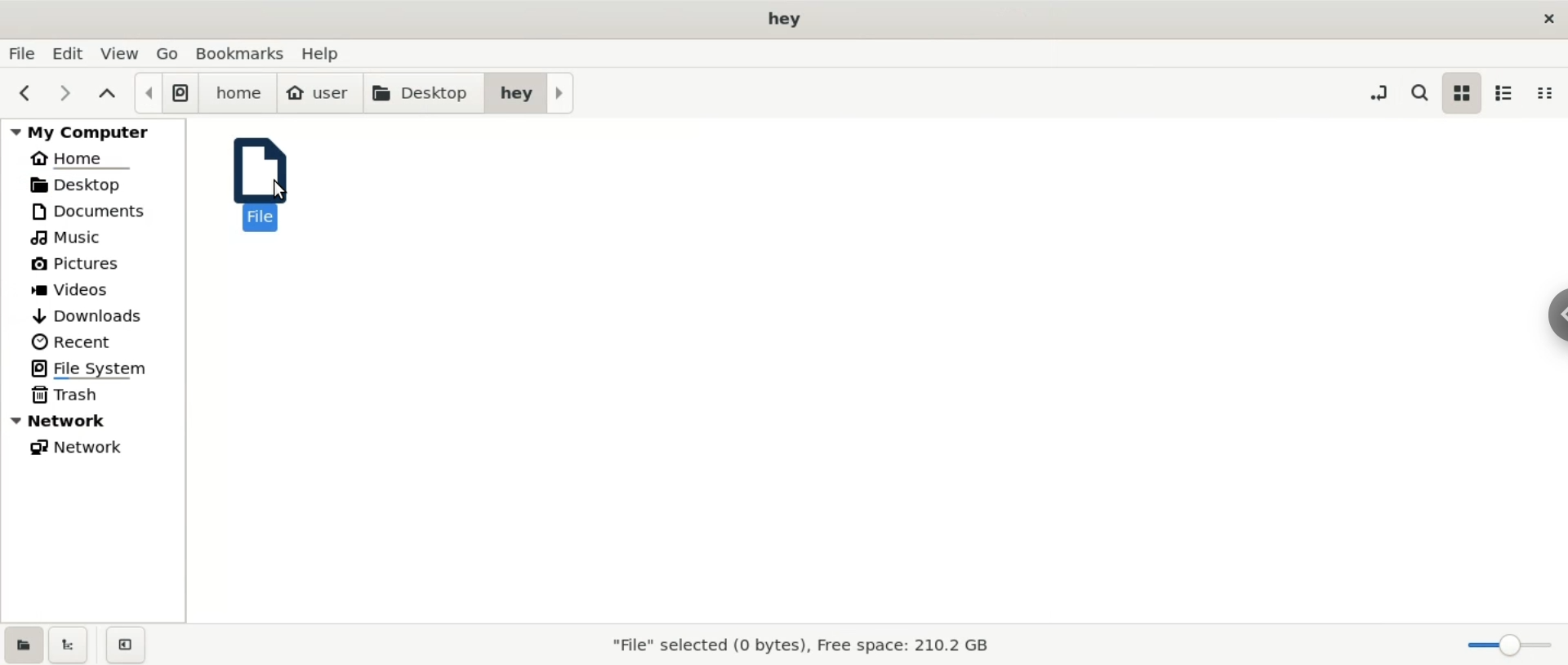 The image size is (1568, 665). Describe the element at coordinates (94, 315) in the screenshot. I see `dowbloads` at that location.